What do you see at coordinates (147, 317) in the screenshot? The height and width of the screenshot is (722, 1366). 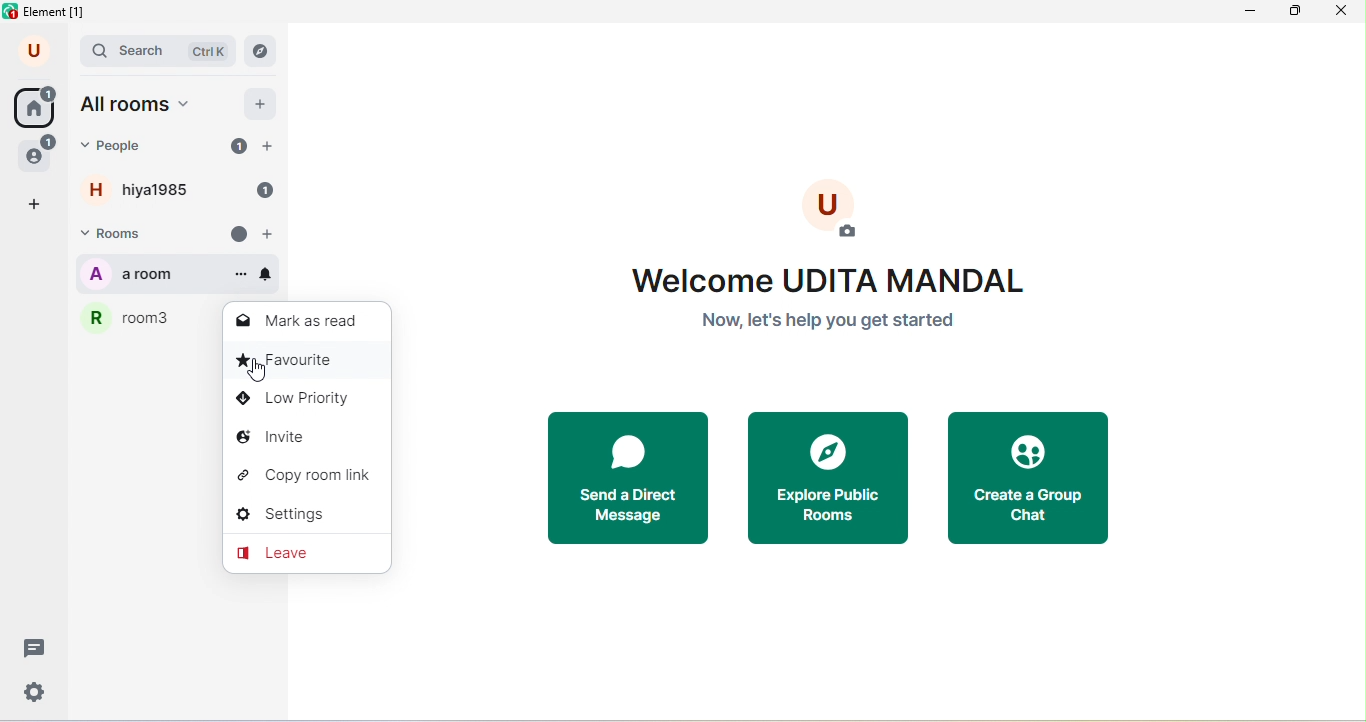 I see `room3` at bounding box center [147, 317].